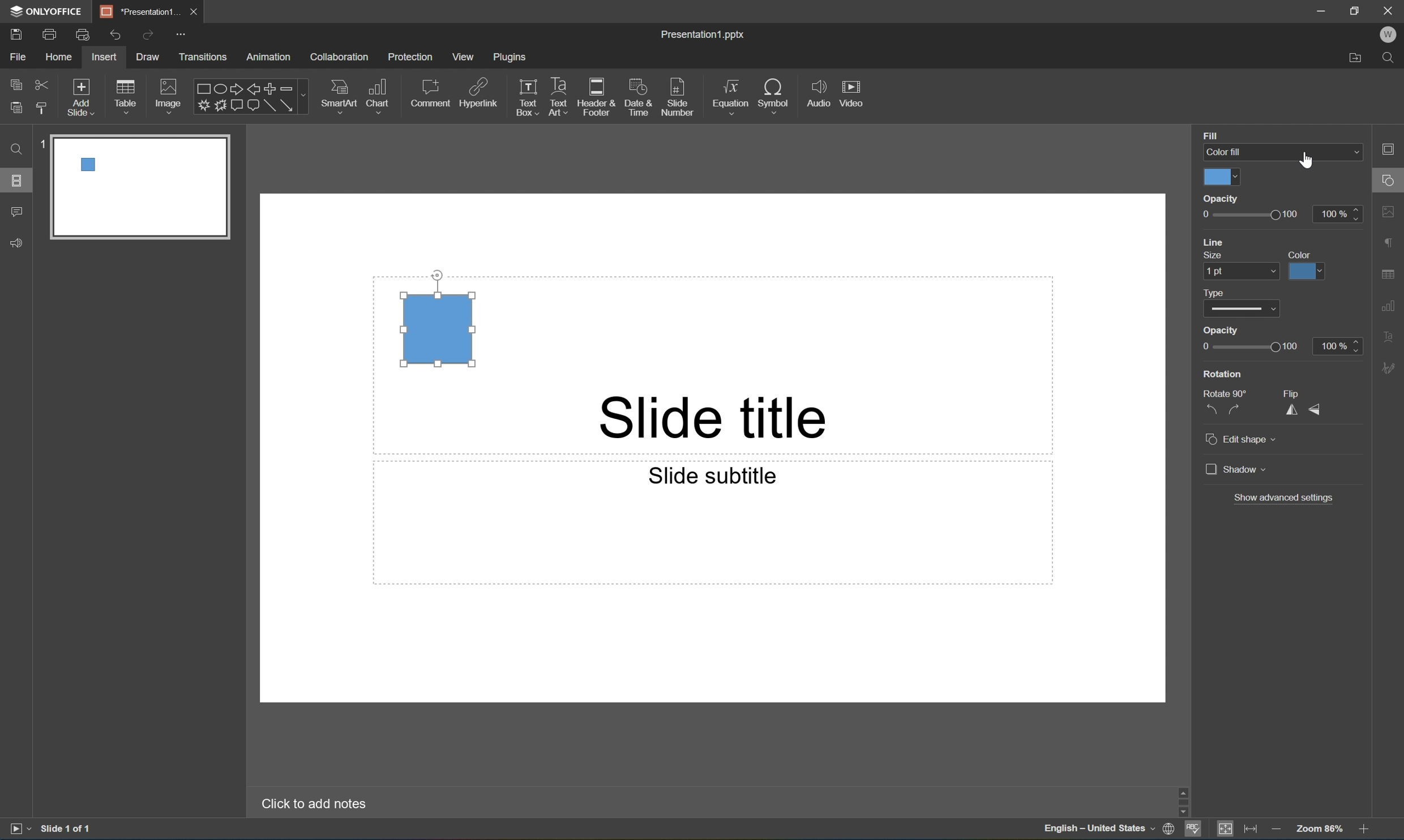 The height and width of the screenshot is (840, 1404). I want to click on Rotate 90° clockwise, so click(1236, 411).